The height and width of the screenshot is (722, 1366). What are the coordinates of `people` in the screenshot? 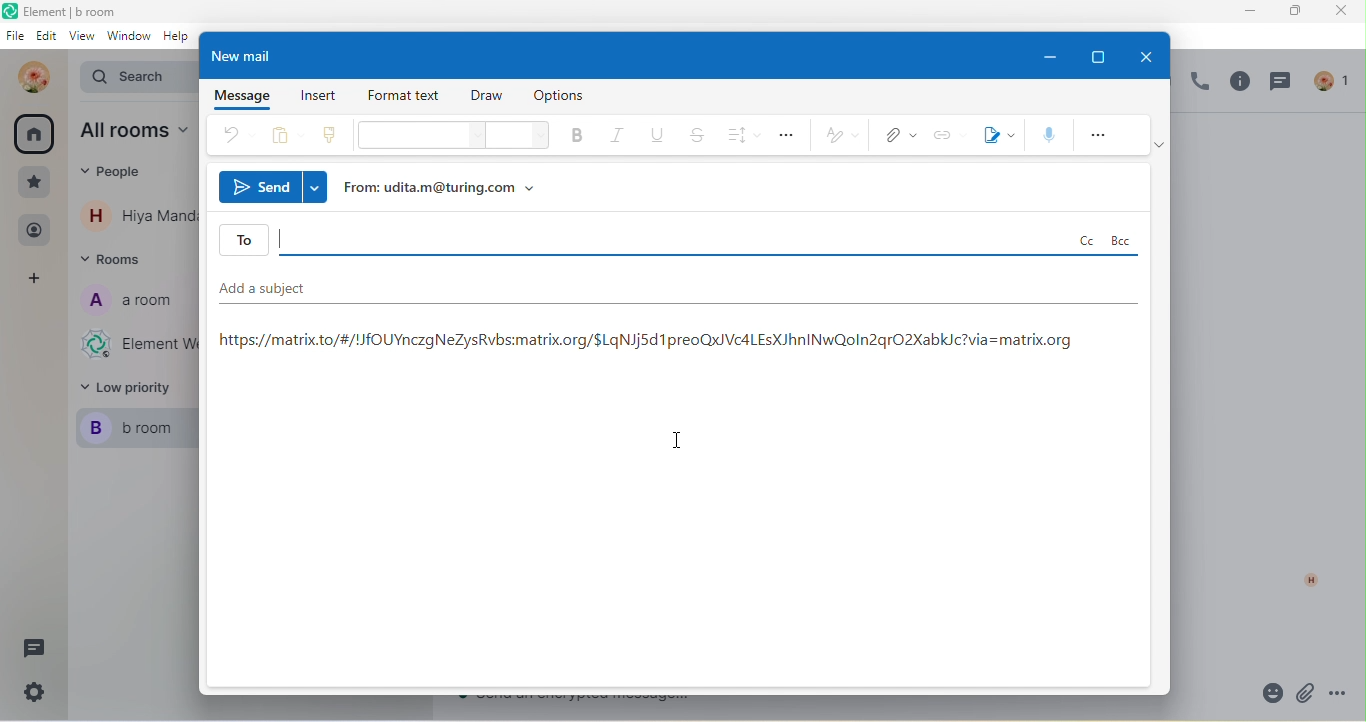 It's located at (34, 231).